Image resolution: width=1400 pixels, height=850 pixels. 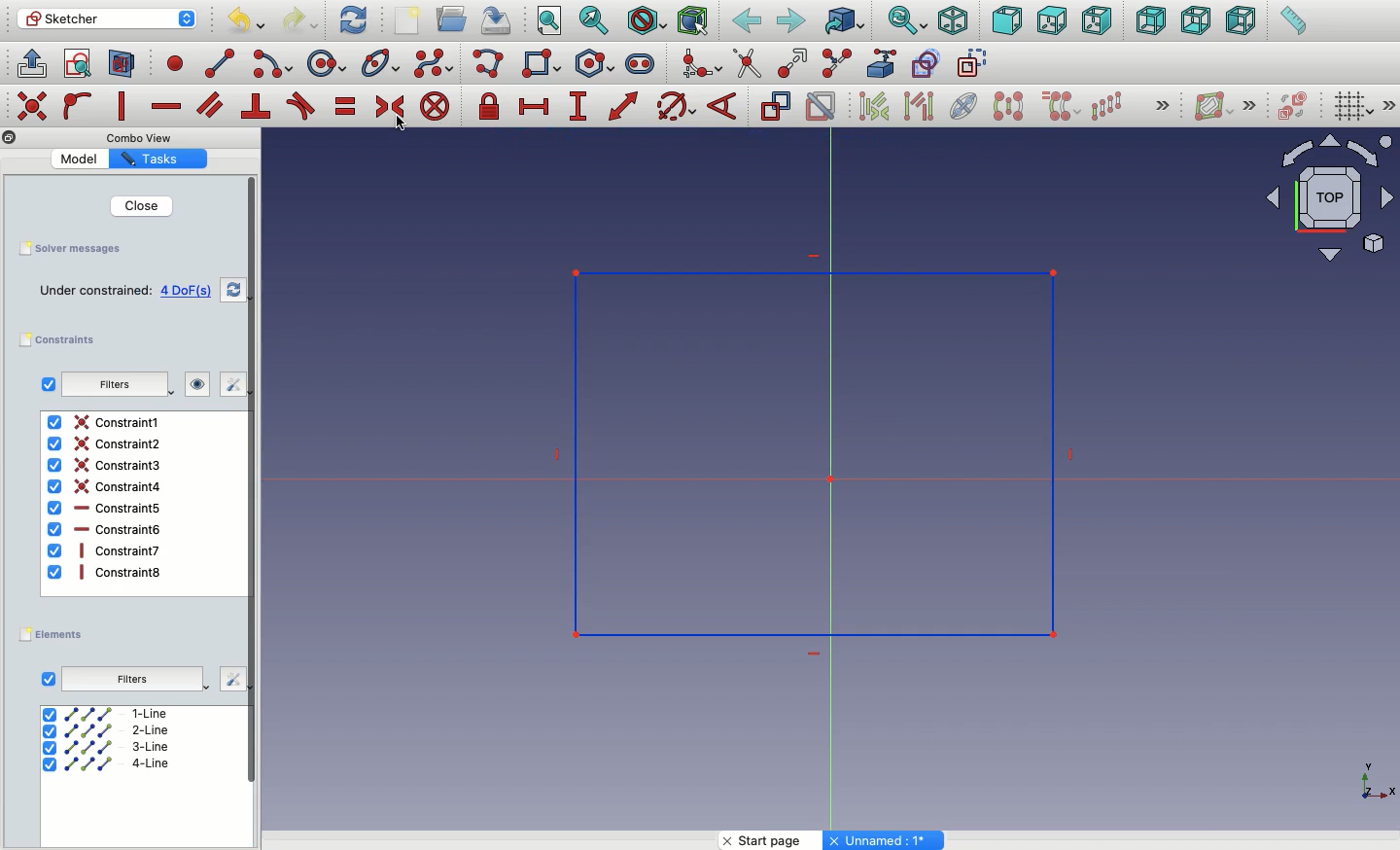 What do you see at coordinates (535, 105) in the screenshot?
I see `constrain horizontal distance` at bounding box center [535, 105].